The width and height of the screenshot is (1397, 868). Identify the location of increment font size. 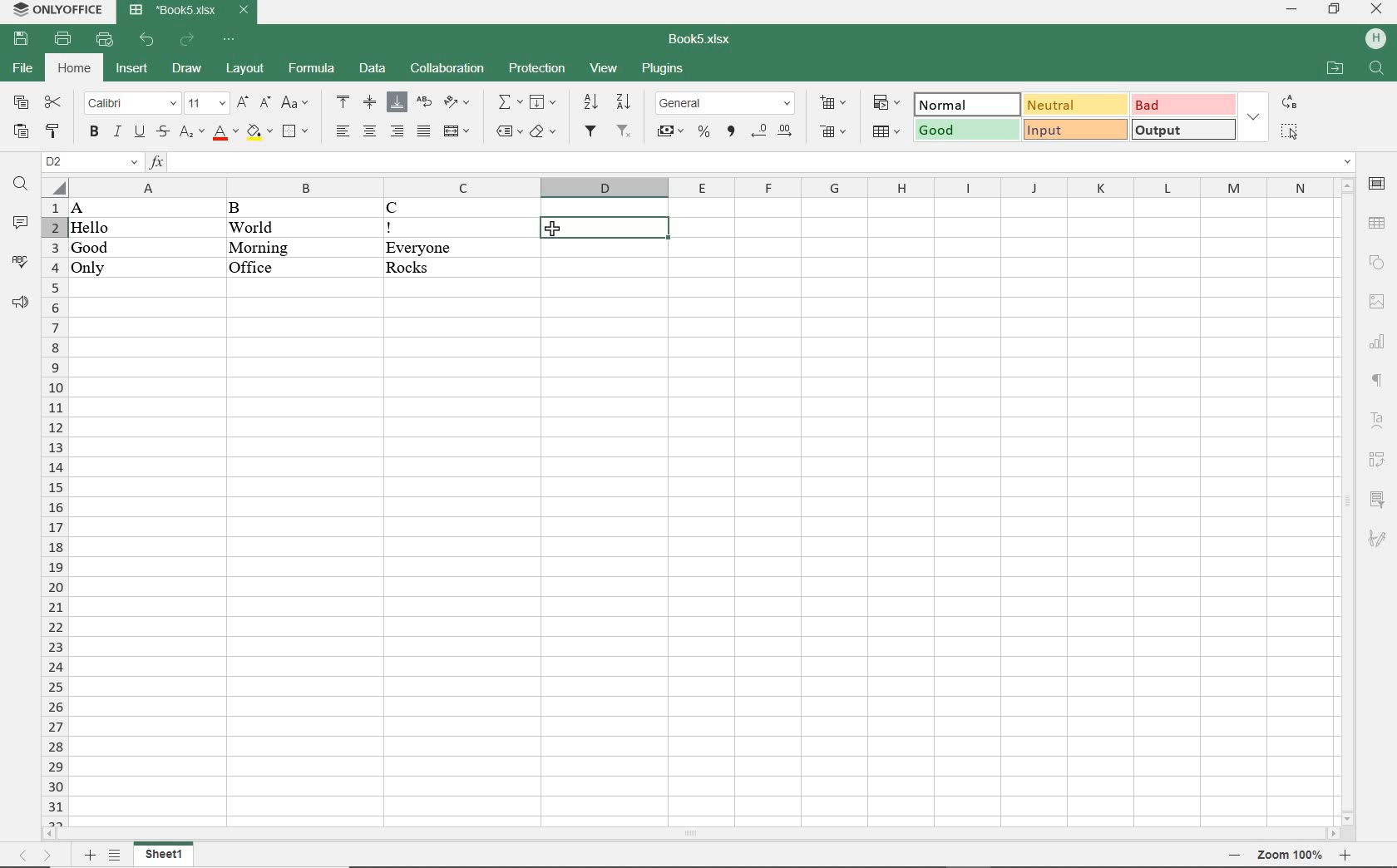
(244, 104).